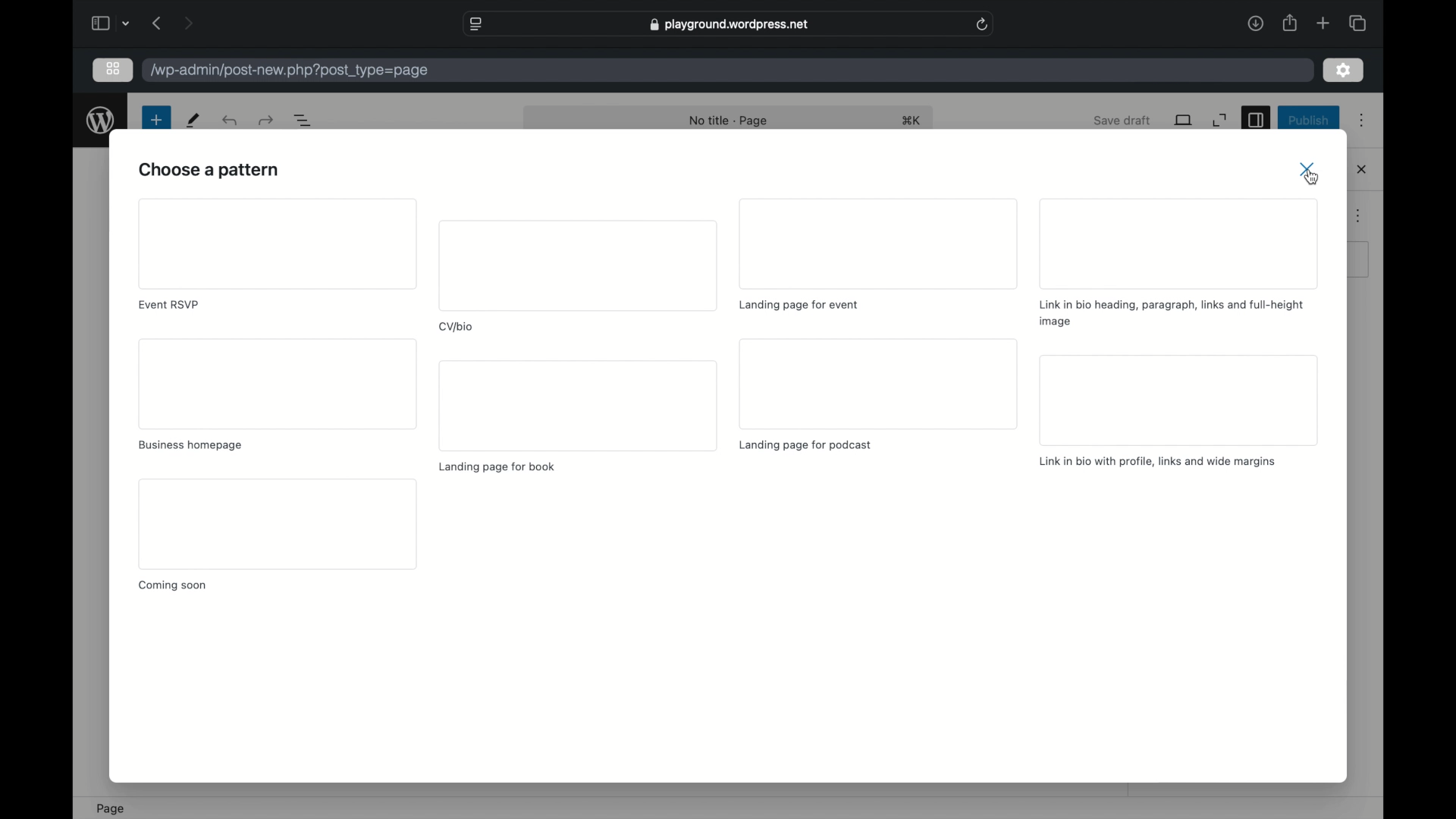 This screenshot has height=819, width=1456. Describe the element at coordinates (730, 121) in the screenshot. I see `no title - page` at that location.